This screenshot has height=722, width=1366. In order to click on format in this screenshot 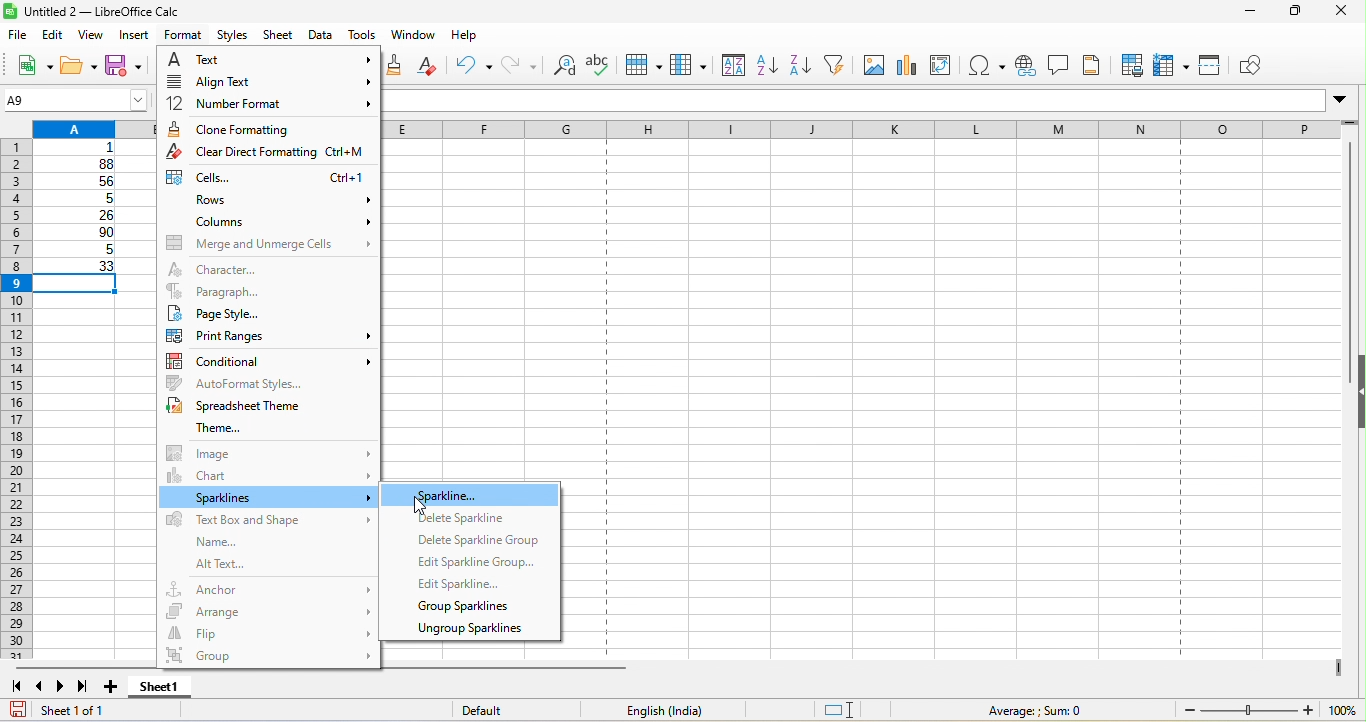, I will do `click(181, 36)`.